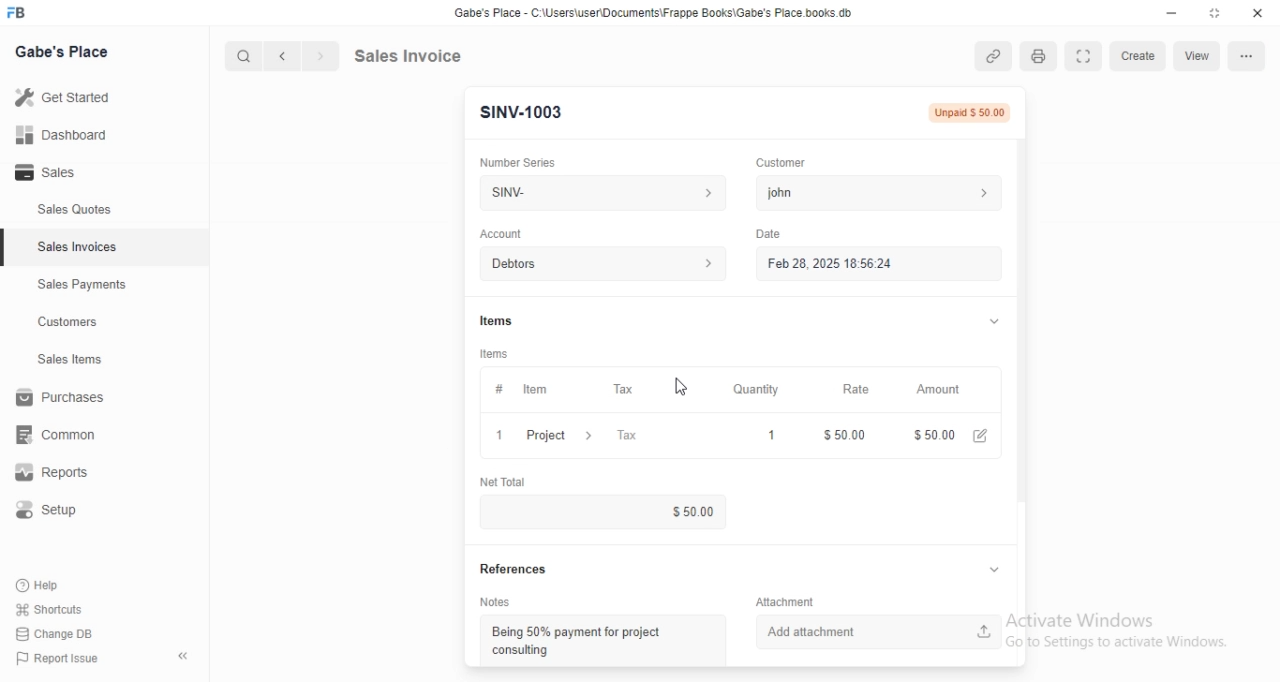 The height and width of the screenshot is (682, 1280). What do you see at coordinates (61, 608) in the screenshot?
I see `Shortcuts` at bounding box center [61, 608].